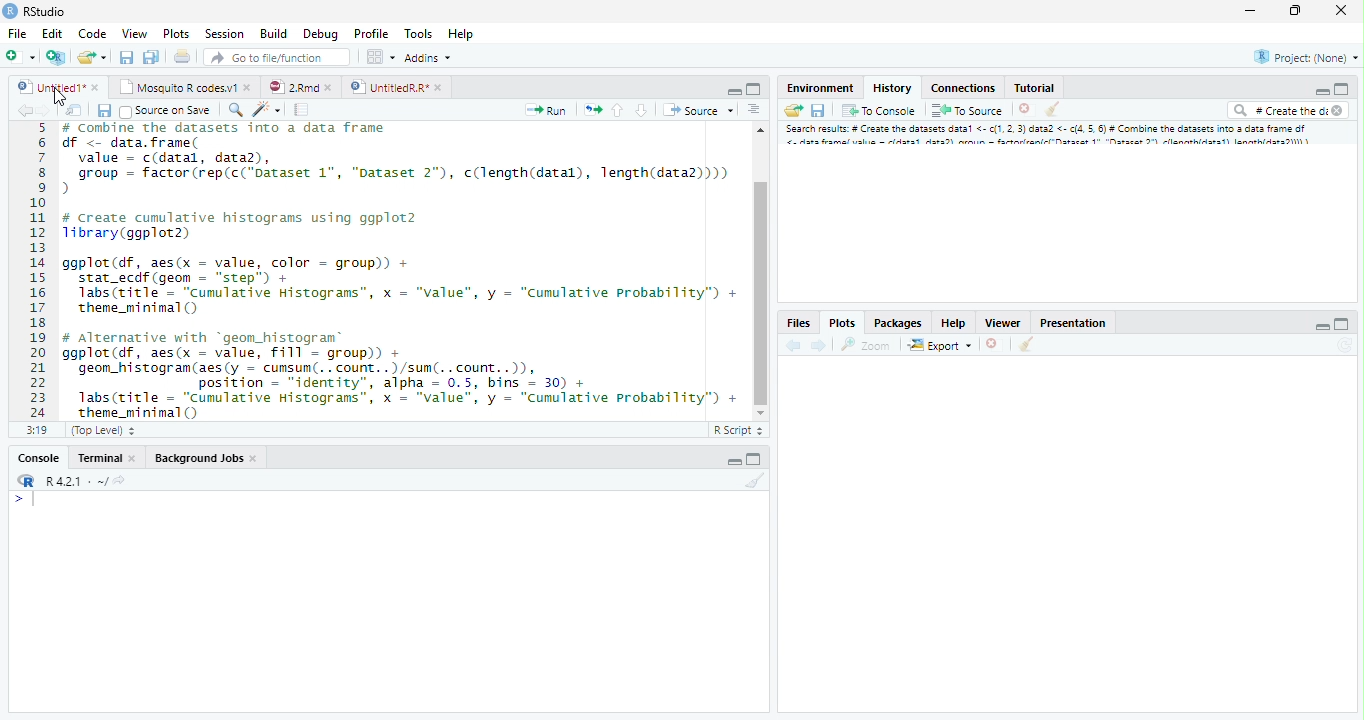 This screenshot has width=1364, height=720. I want to click on Maximize, so click(1294, 11).